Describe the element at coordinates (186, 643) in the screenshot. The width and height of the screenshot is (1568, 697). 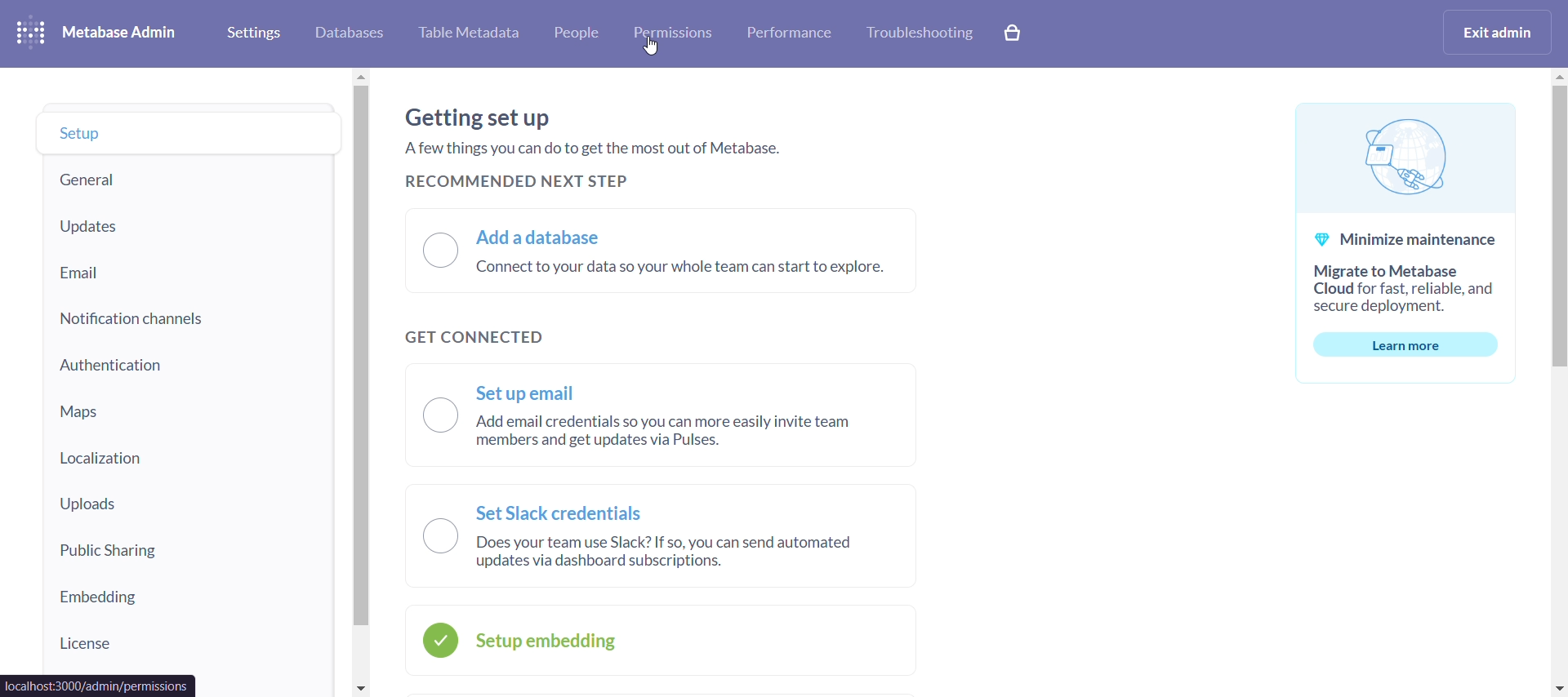
I see `license` at that location.